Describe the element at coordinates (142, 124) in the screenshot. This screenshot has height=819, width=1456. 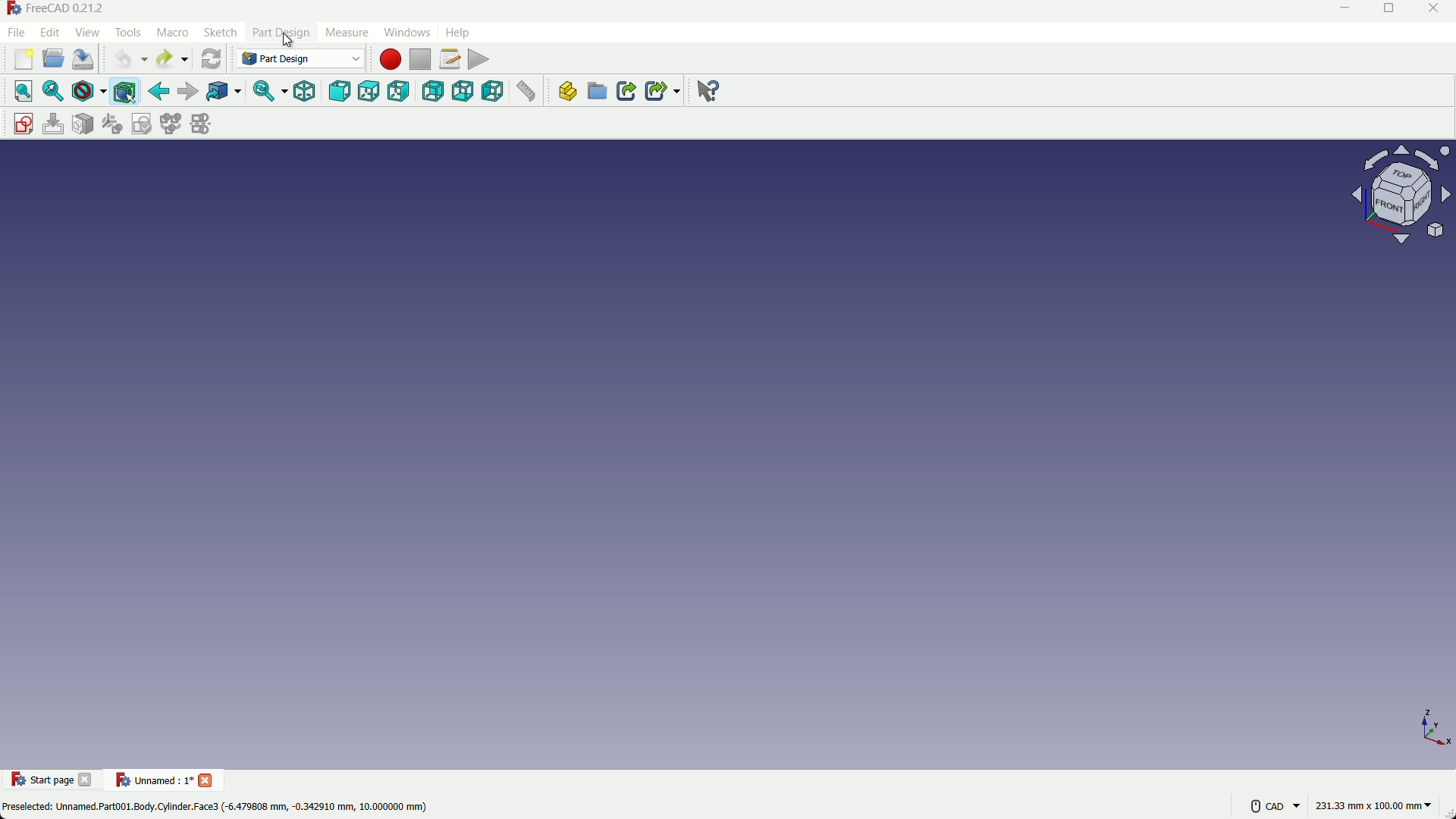
I see `validate sketch` at that location.